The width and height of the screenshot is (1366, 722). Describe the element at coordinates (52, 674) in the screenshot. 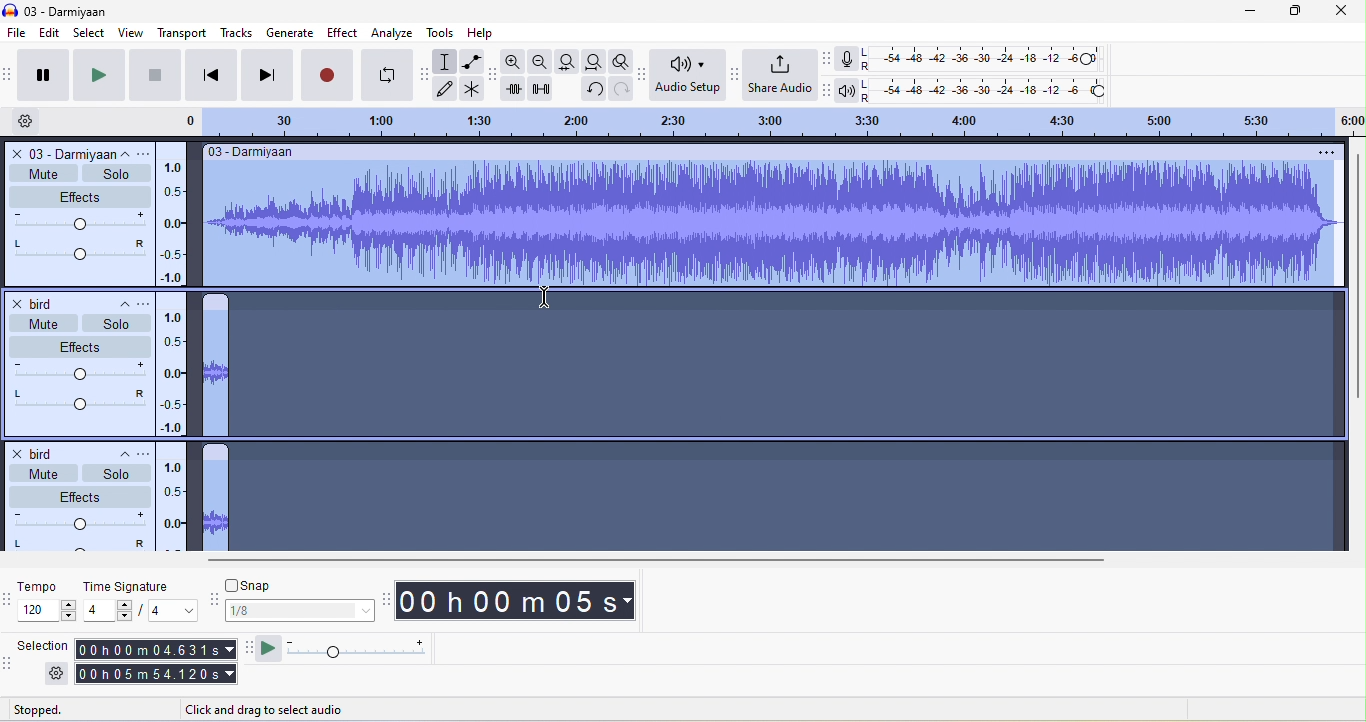

I see `settings` at that location.